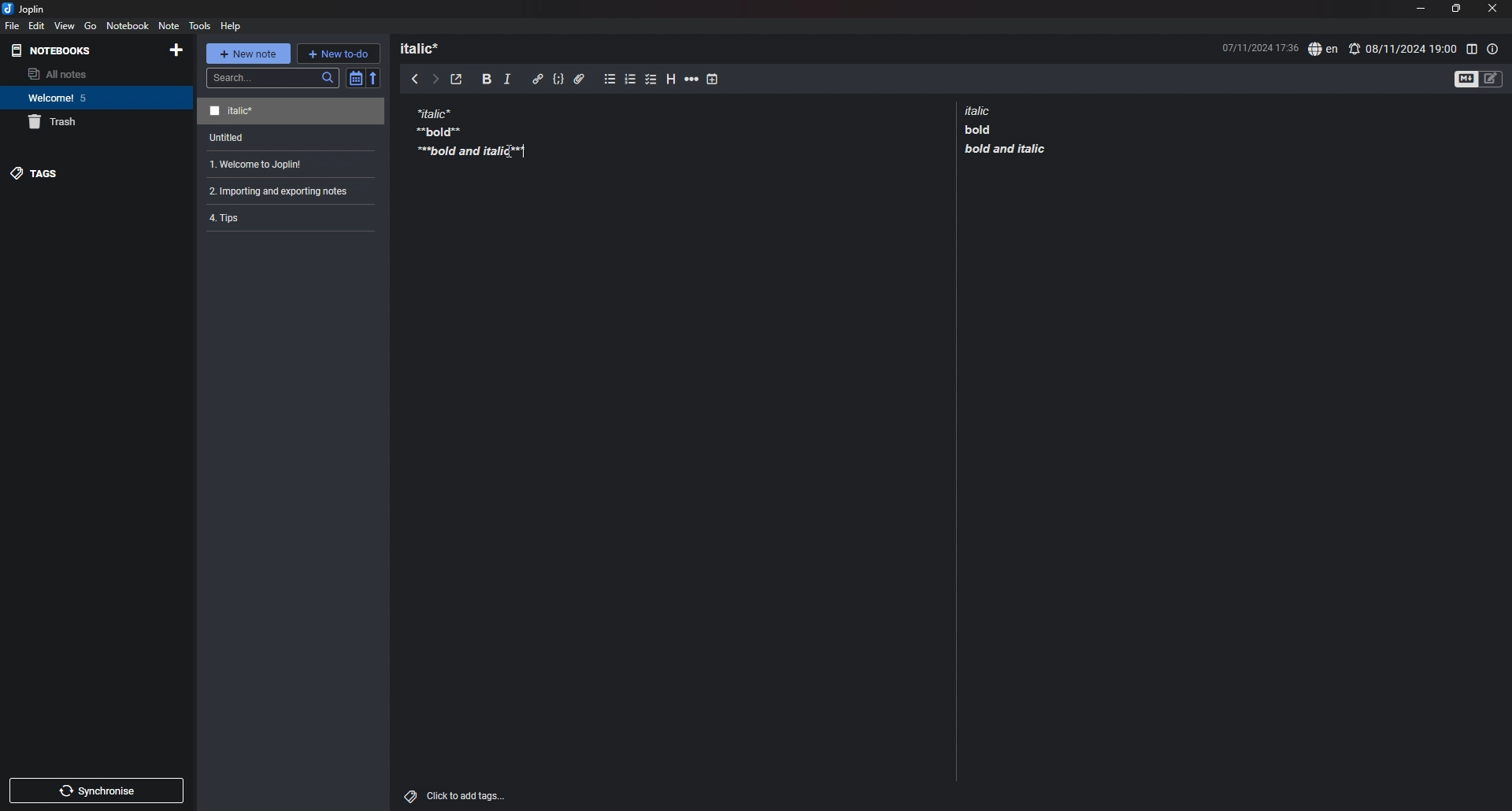  Describe the element at coordinates (355, 78) in the screenshot. I see `toggle sort order` at that location.